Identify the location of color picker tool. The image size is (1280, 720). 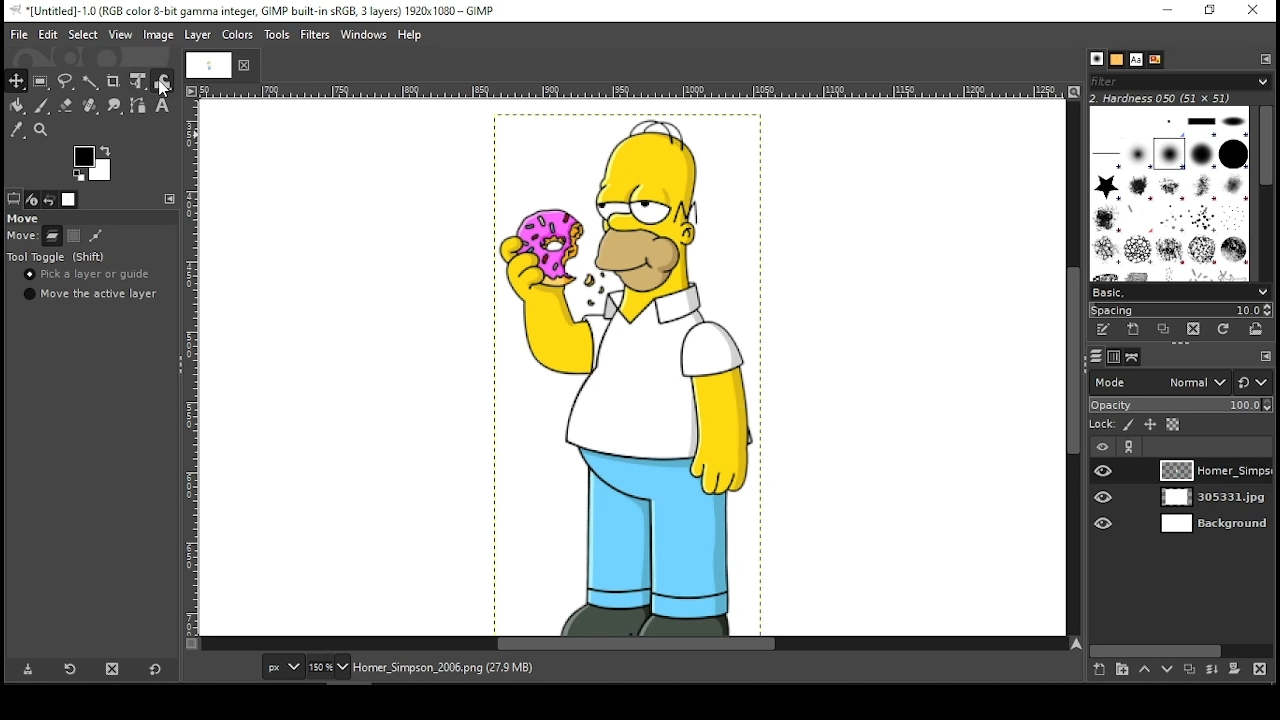
(16, 132).